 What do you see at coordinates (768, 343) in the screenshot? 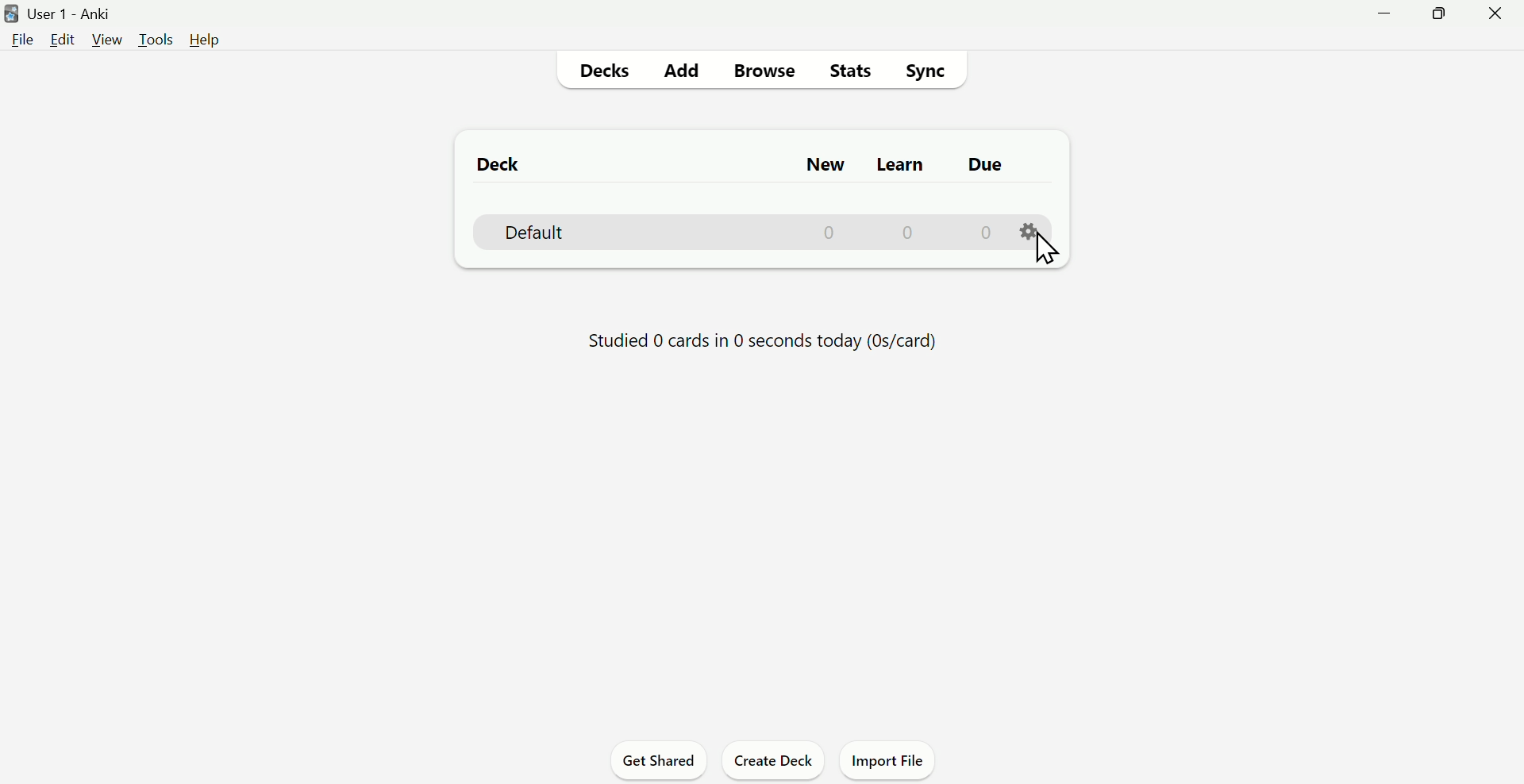
I see `Studied 0 cards in 0 seconds today (Os/card)` at bounding box center [768, 343].